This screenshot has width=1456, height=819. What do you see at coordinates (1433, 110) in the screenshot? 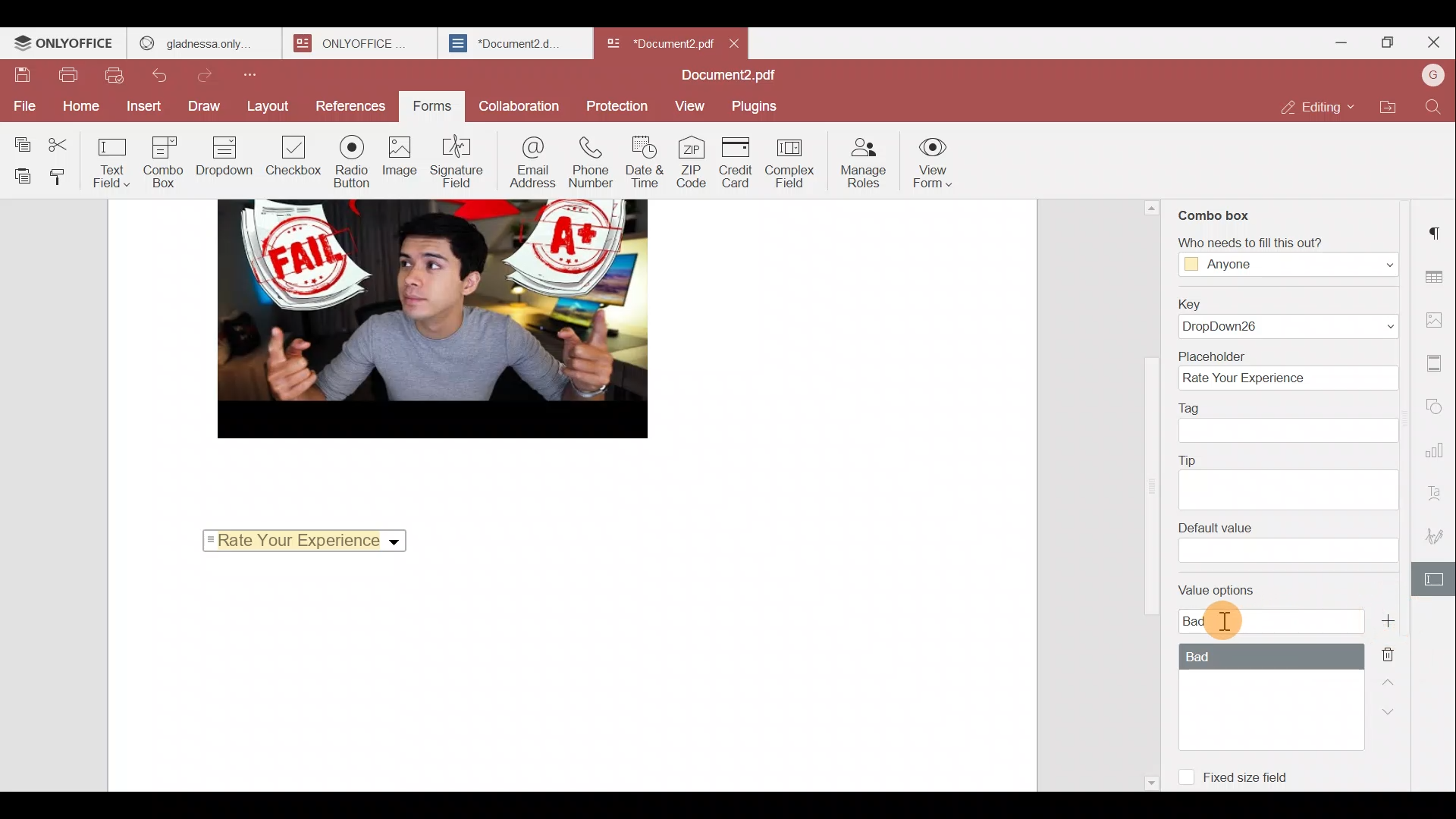
I see `Find` at bounding box center [1433, 110].